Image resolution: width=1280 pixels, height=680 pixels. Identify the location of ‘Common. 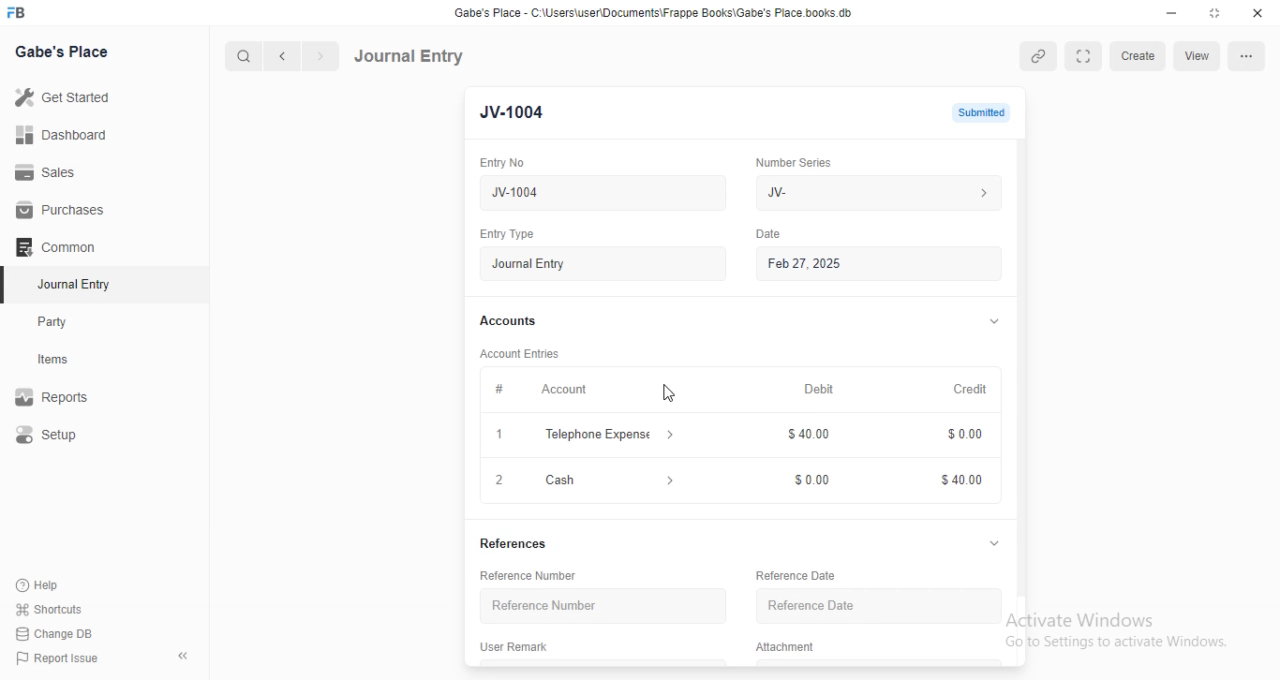
(57, 246).